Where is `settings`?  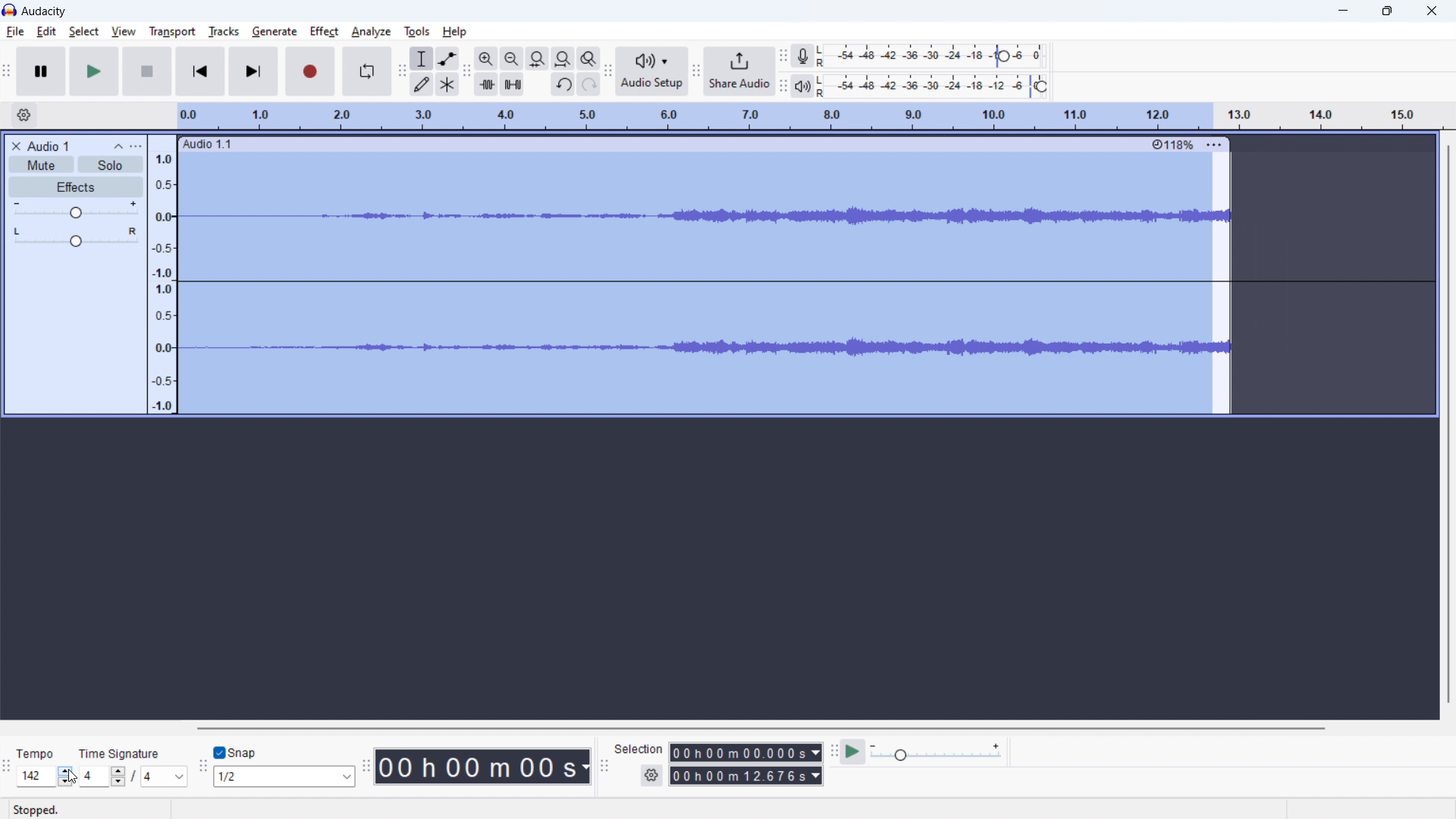 settings is located at coordinates (651, 776).